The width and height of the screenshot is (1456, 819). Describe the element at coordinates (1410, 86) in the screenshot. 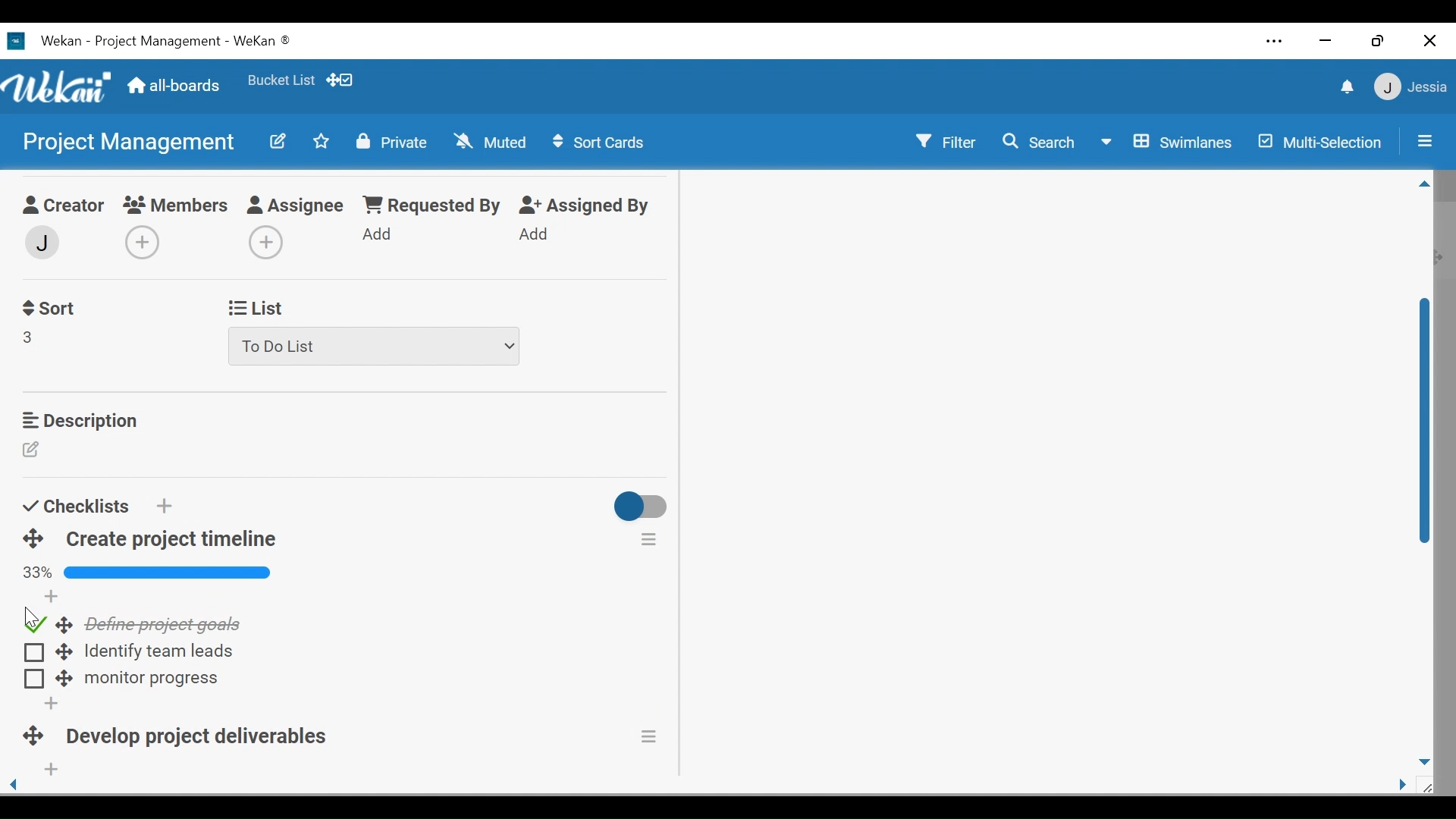

I see `member settings` at that location.